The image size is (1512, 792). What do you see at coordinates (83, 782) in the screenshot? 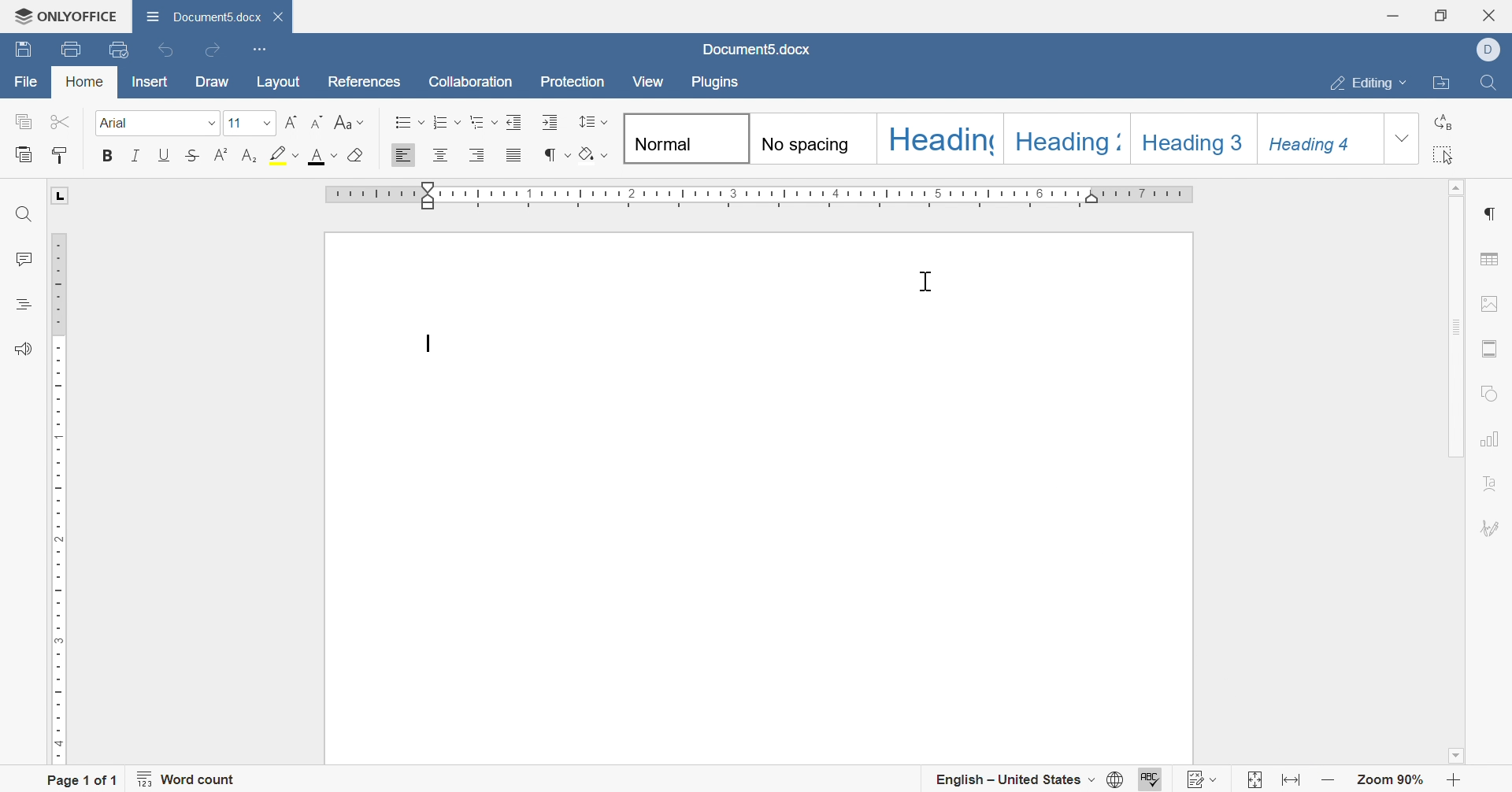
I see `page 1 of 1` at bounding box center [83, 782].